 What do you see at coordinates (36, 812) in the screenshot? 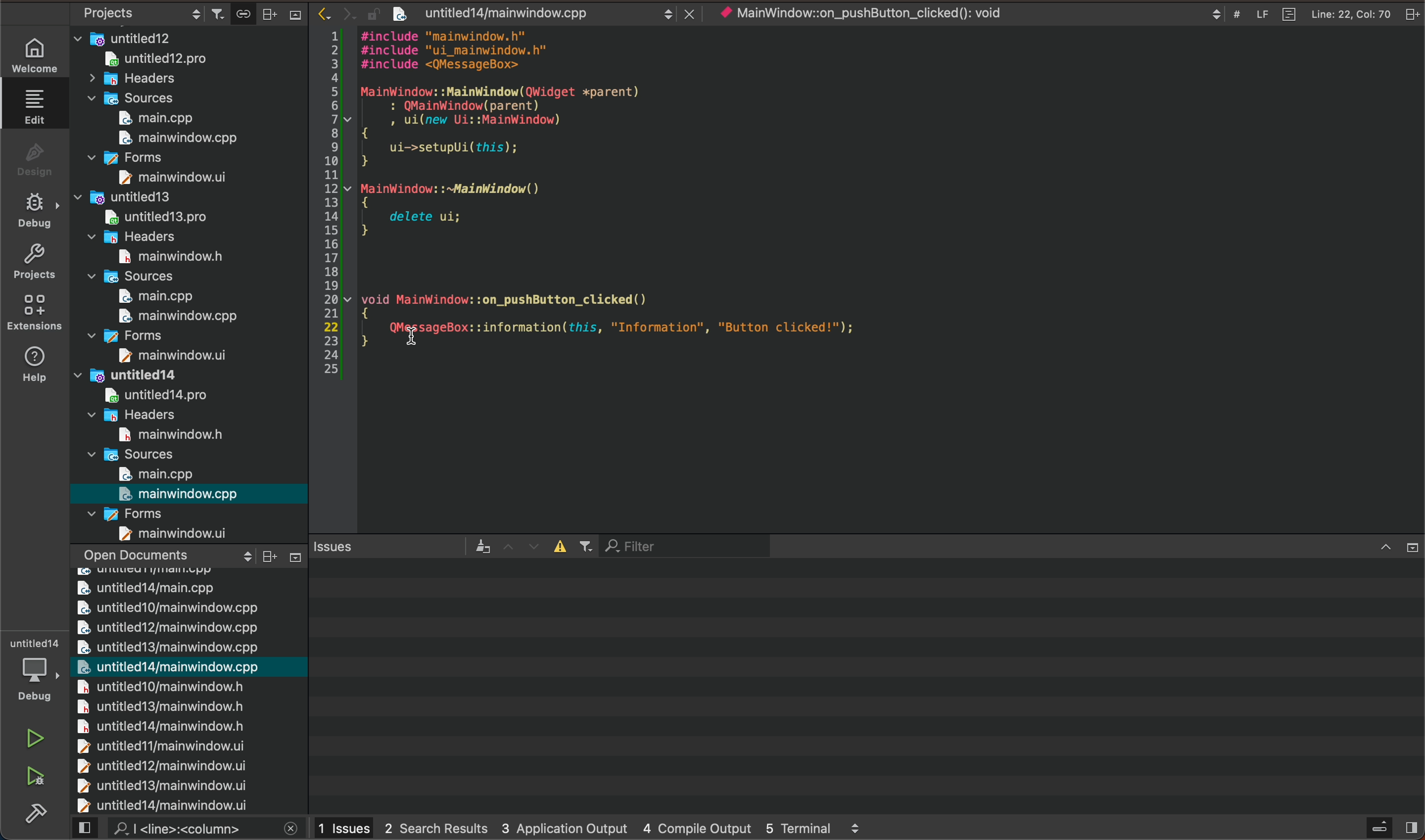
I see `` at bounding box center [36, 812].